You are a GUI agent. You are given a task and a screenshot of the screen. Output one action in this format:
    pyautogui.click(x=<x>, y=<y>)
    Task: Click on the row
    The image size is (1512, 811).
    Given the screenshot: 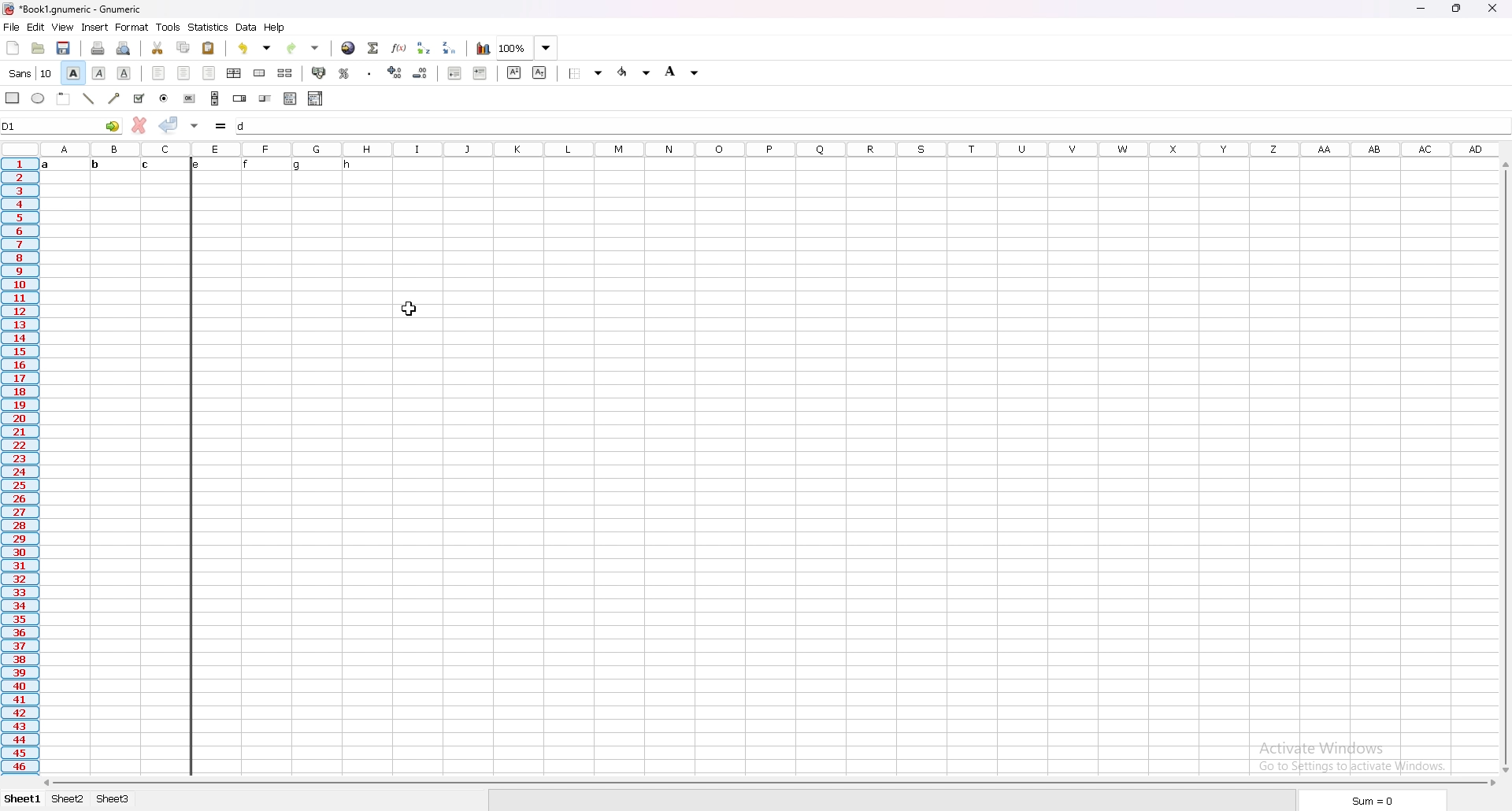 What is the action you would take?
    pyautogui.click(x=20, y=467)
    